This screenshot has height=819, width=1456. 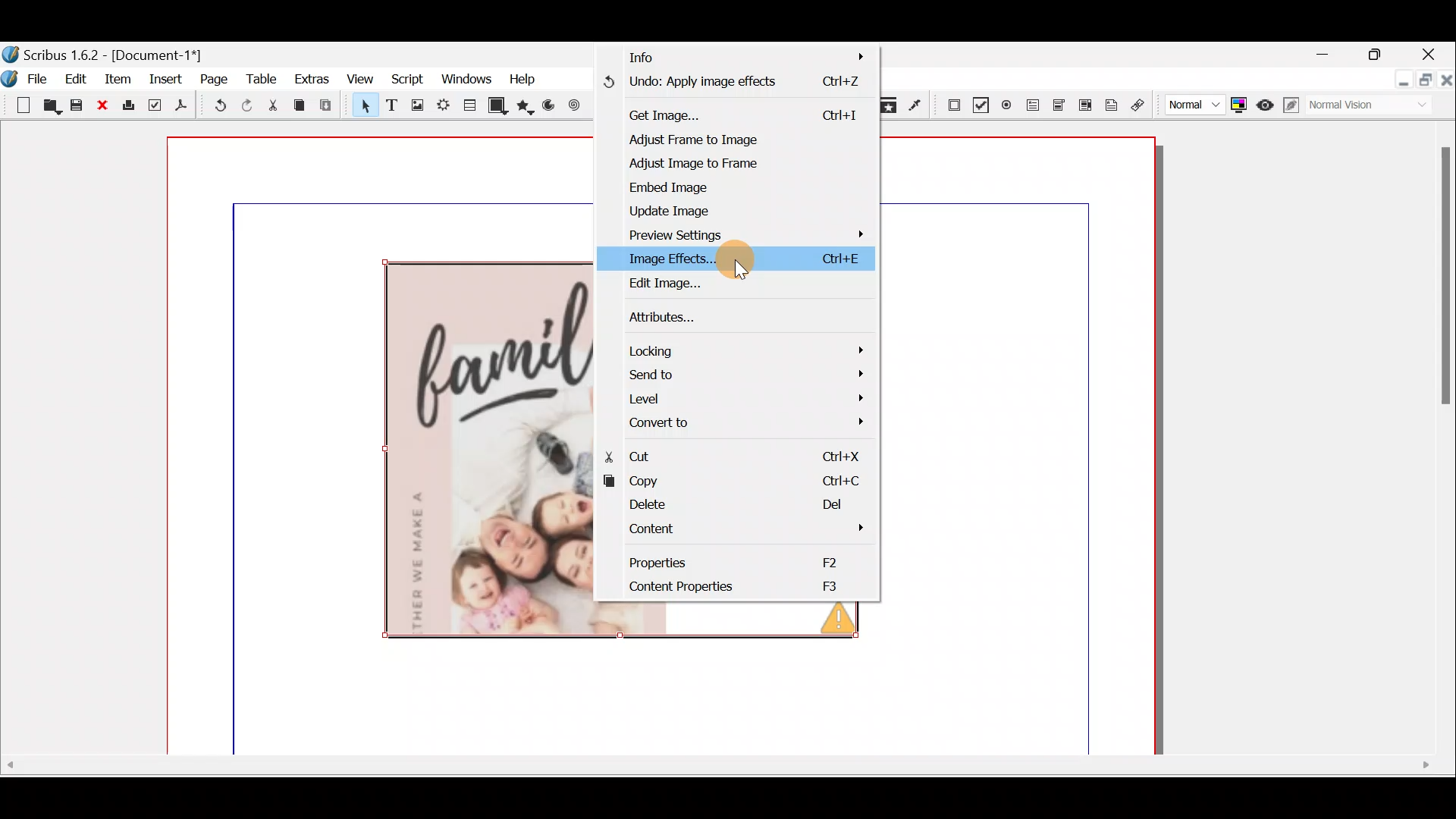 I want to click on Link annotation, so click(x=1144, y=106).